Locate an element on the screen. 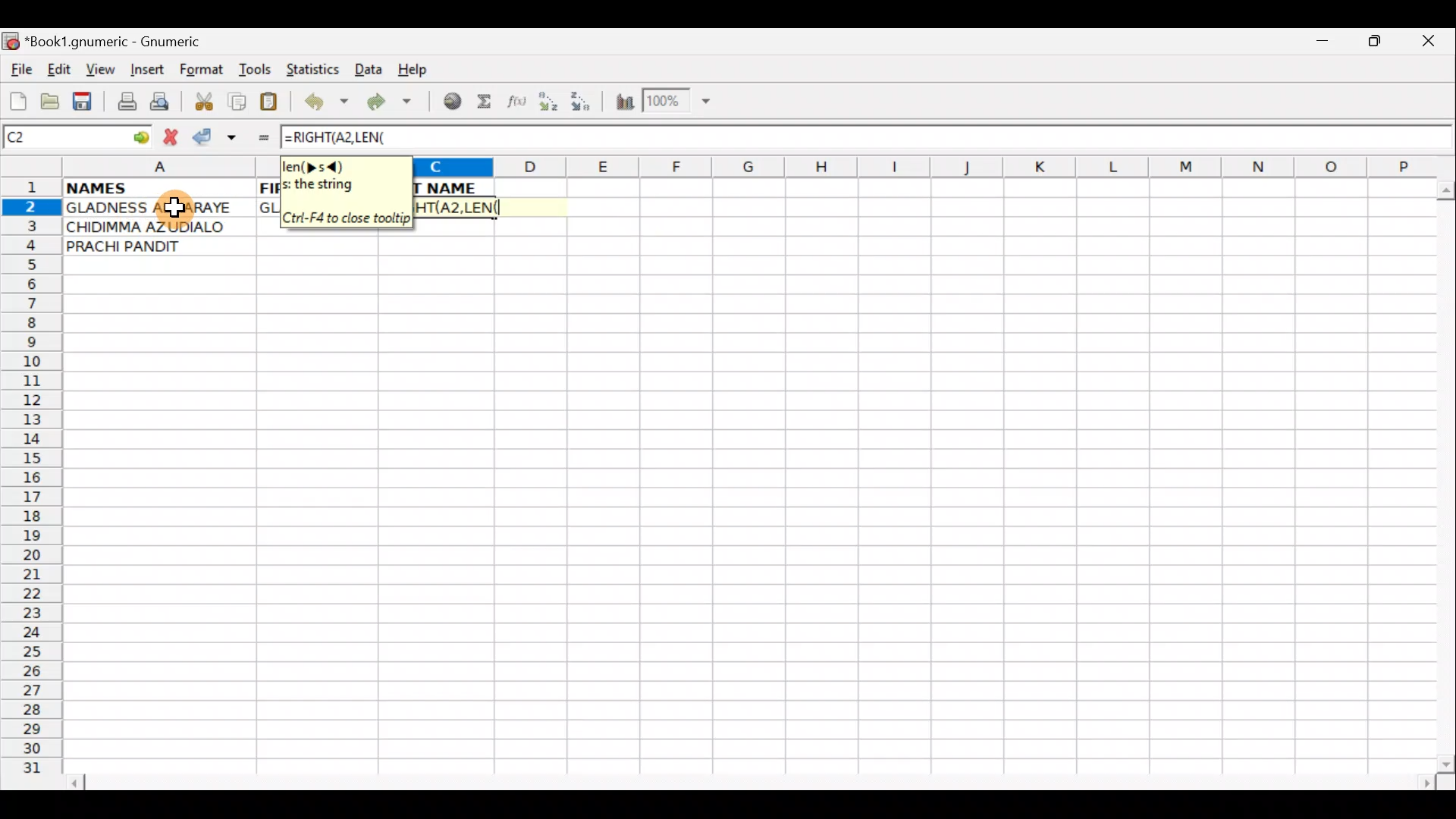 The height and width of the screenshot is (819, 1456). Data is located at coordinates (368, 68).